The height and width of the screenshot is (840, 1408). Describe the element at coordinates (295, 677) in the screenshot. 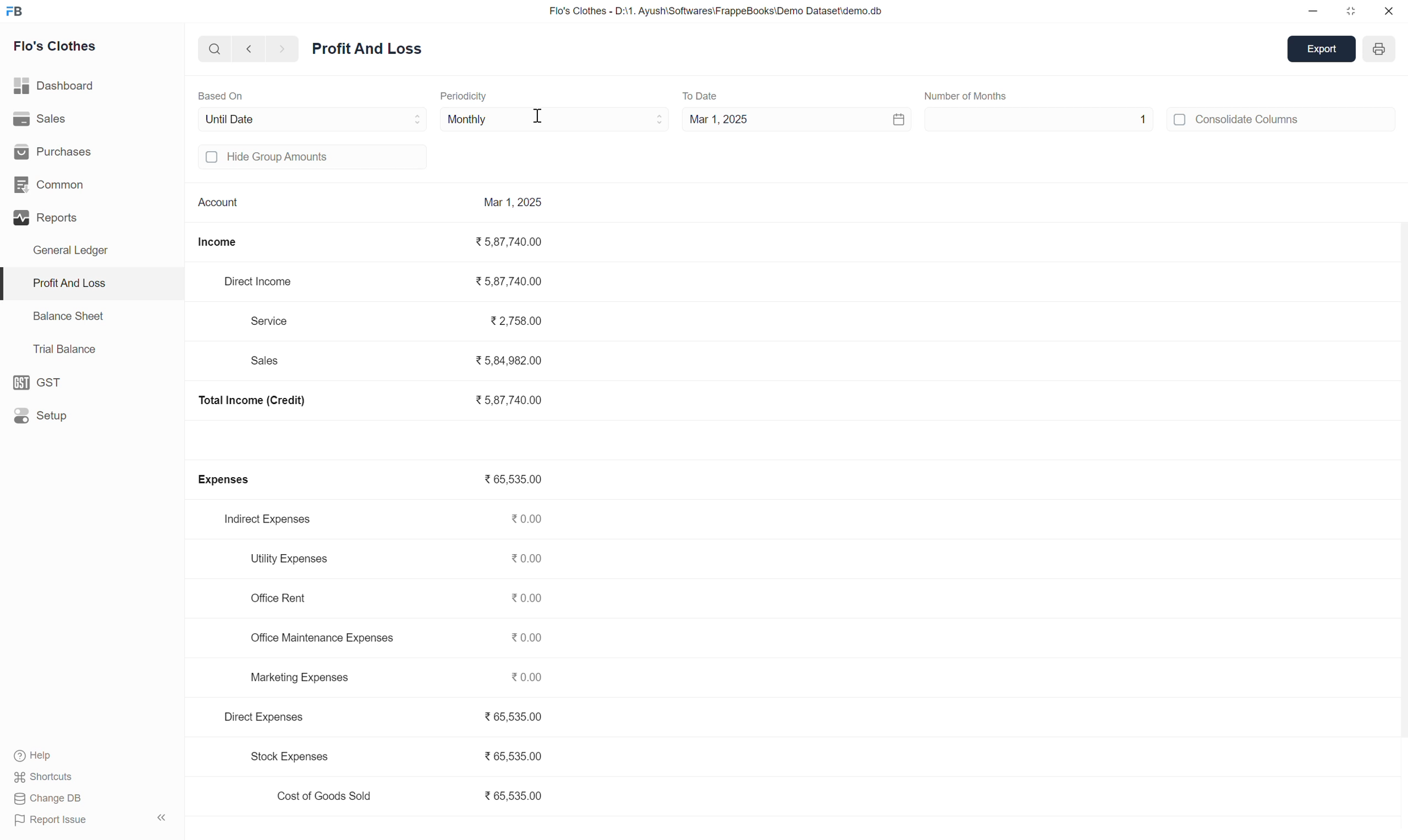

I see `Marketing Expenses` at that location.